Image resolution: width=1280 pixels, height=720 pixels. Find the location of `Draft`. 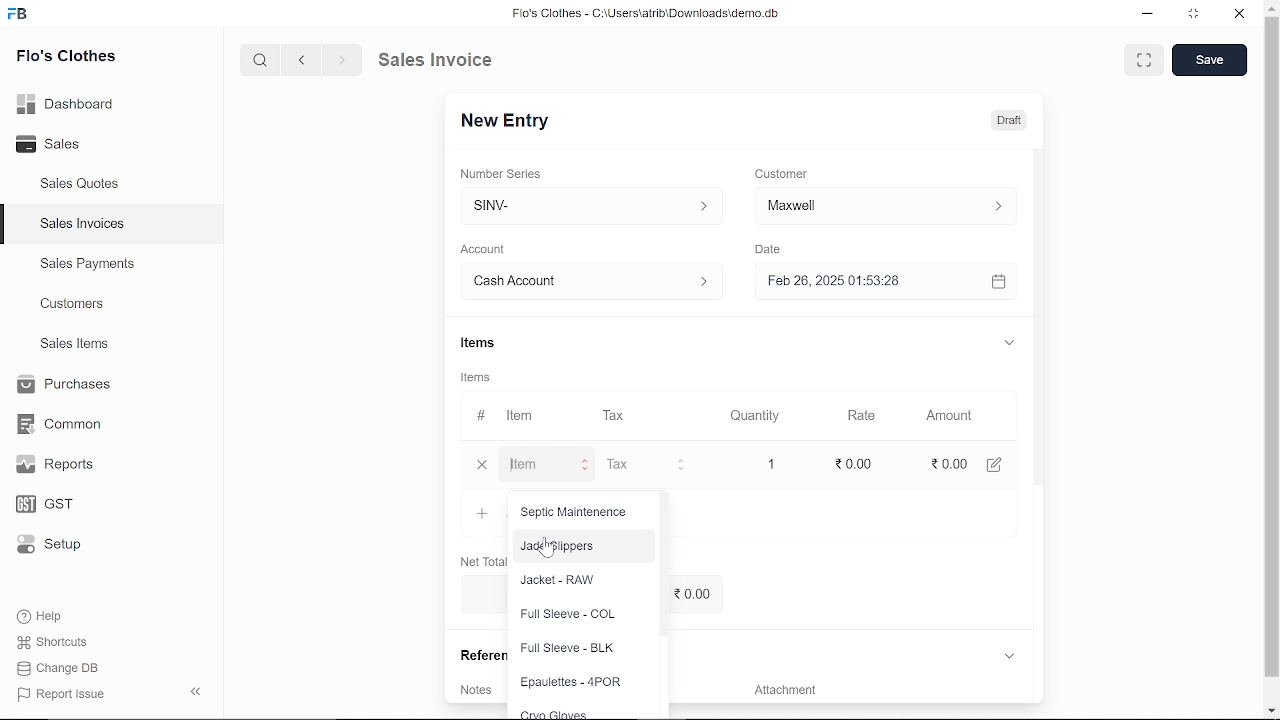

Draft is located at coordinates (1006, 119).